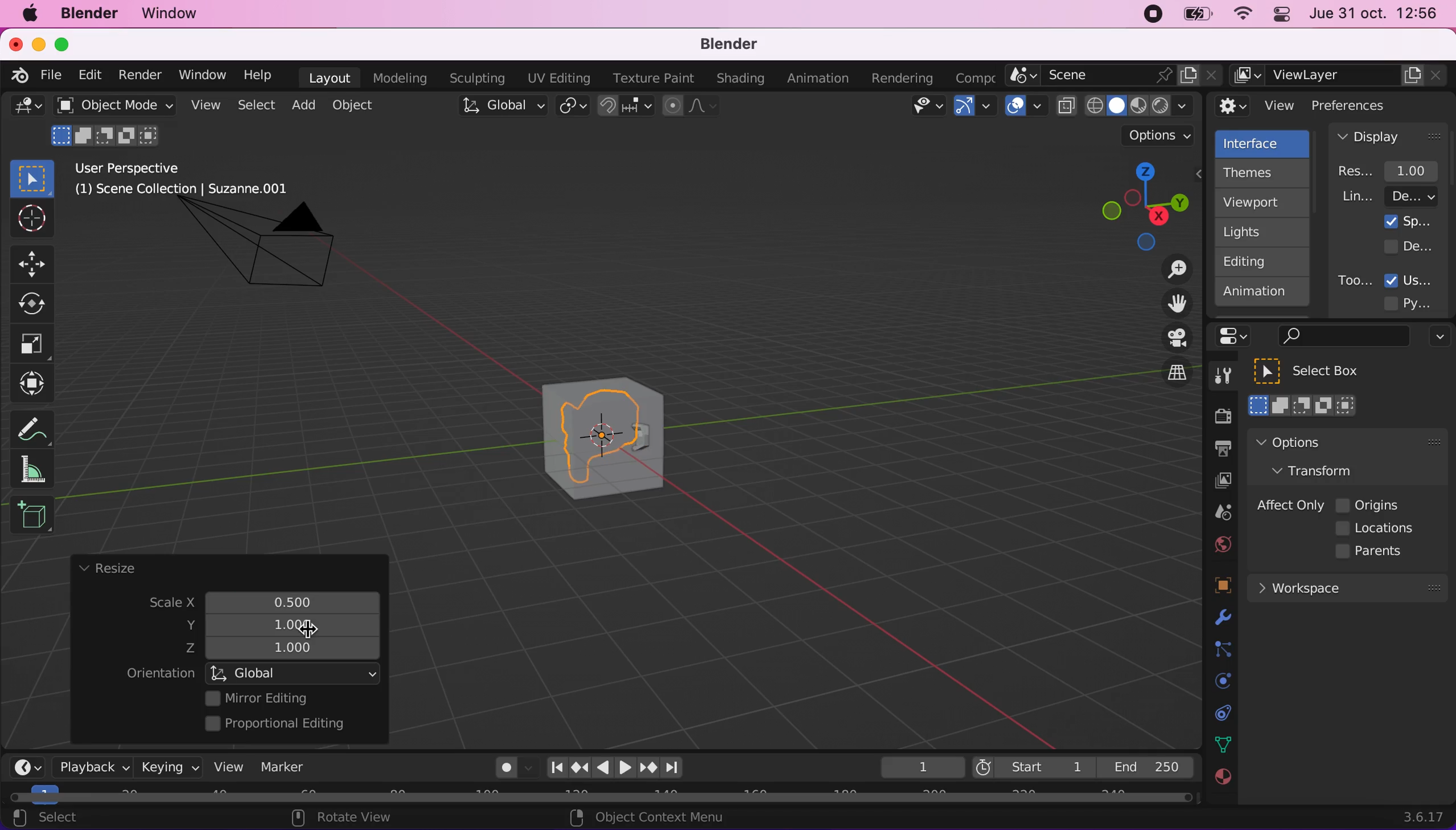 Image resolution: width=1456 pixels, height=830 pixels. Describe the element at coordinates (15, 74) in the screenshot. I see `blender` at that location.